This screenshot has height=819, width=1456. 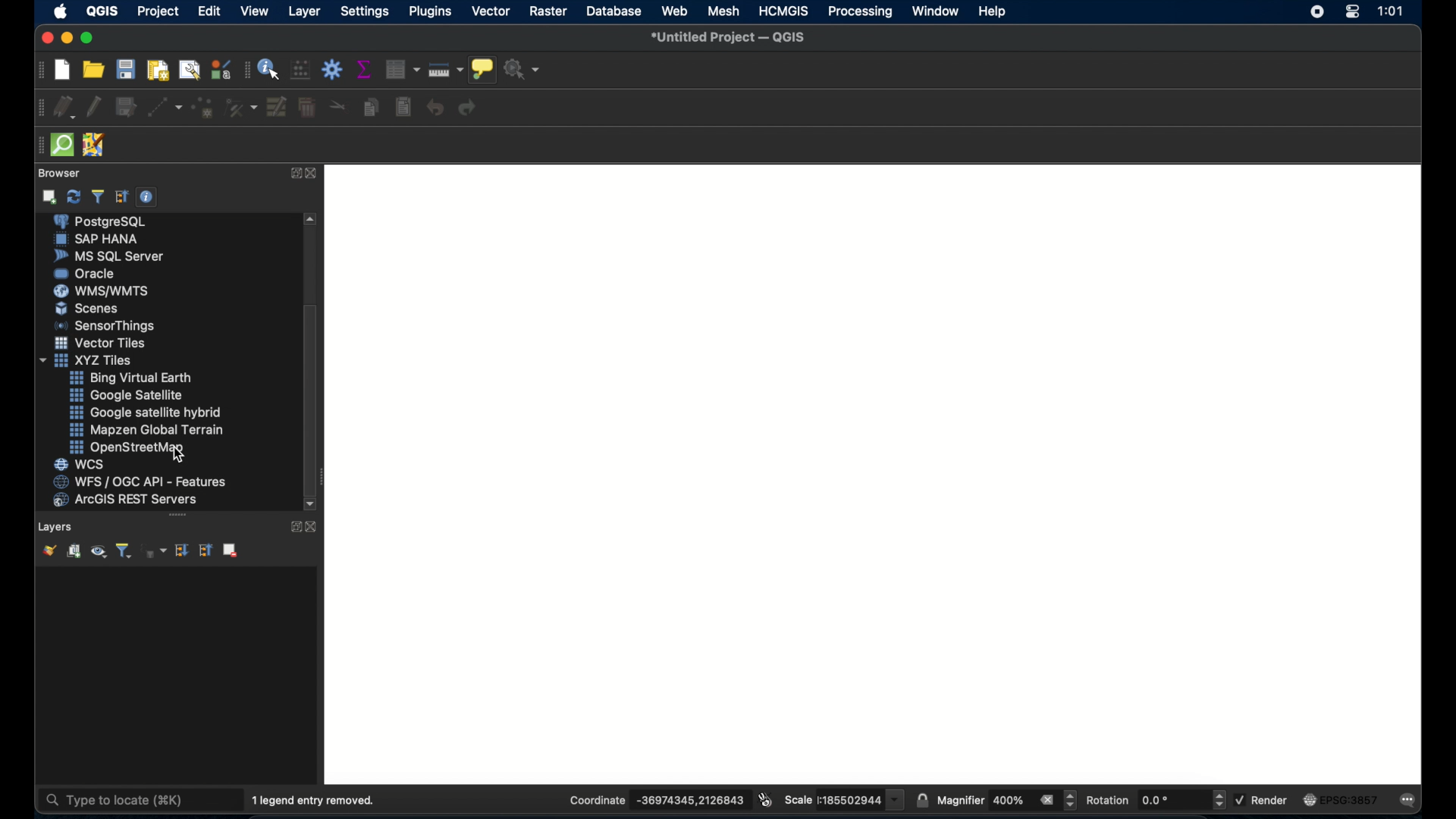 I want to click on undo, so click(x=435, y=108).